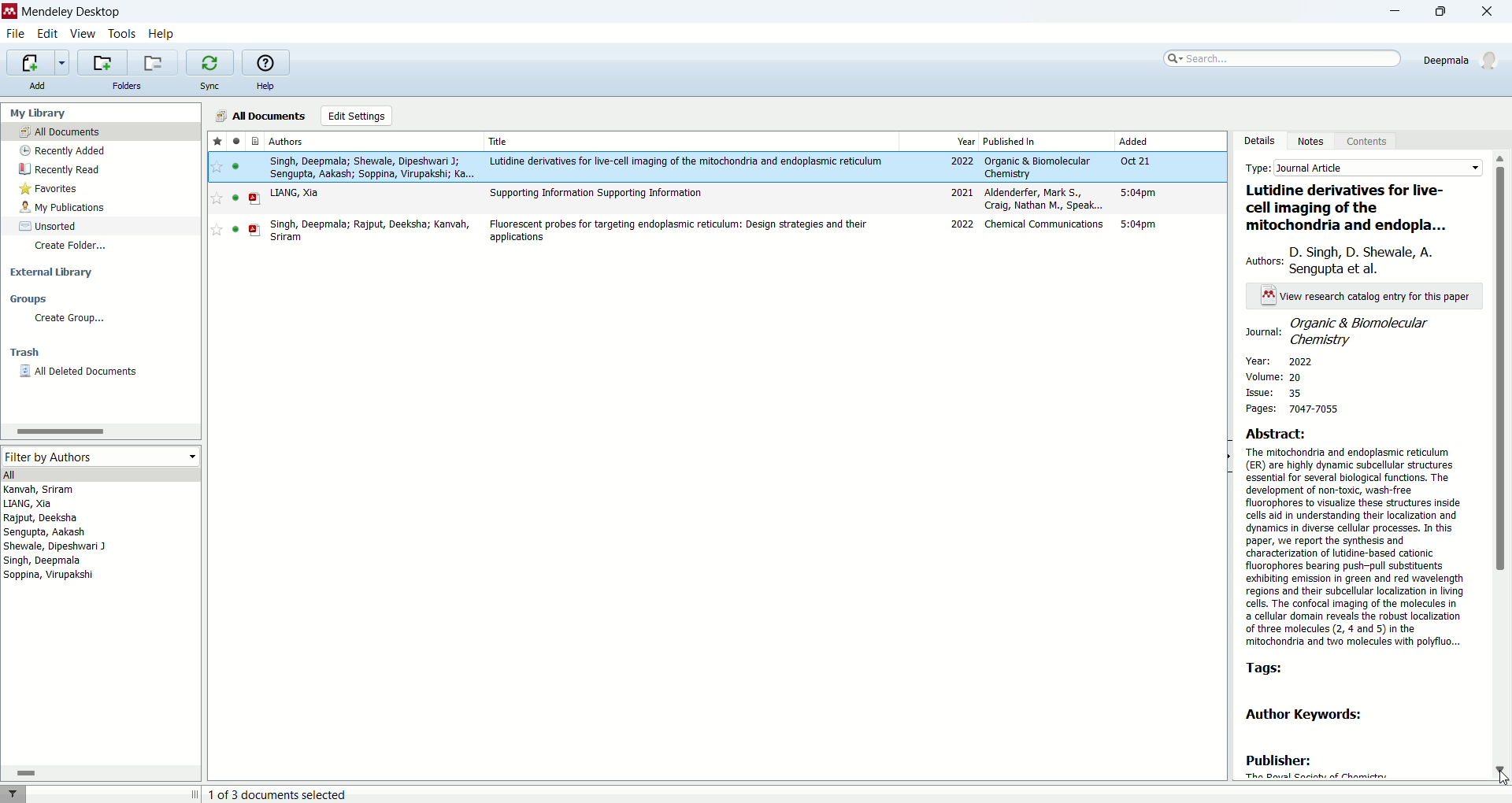 The width and height of the screenshot is (1512, 803). Describe the element at coordinates (1037, 168) in the screenshot. I see `organic & biomolecular chemistry` at that location.